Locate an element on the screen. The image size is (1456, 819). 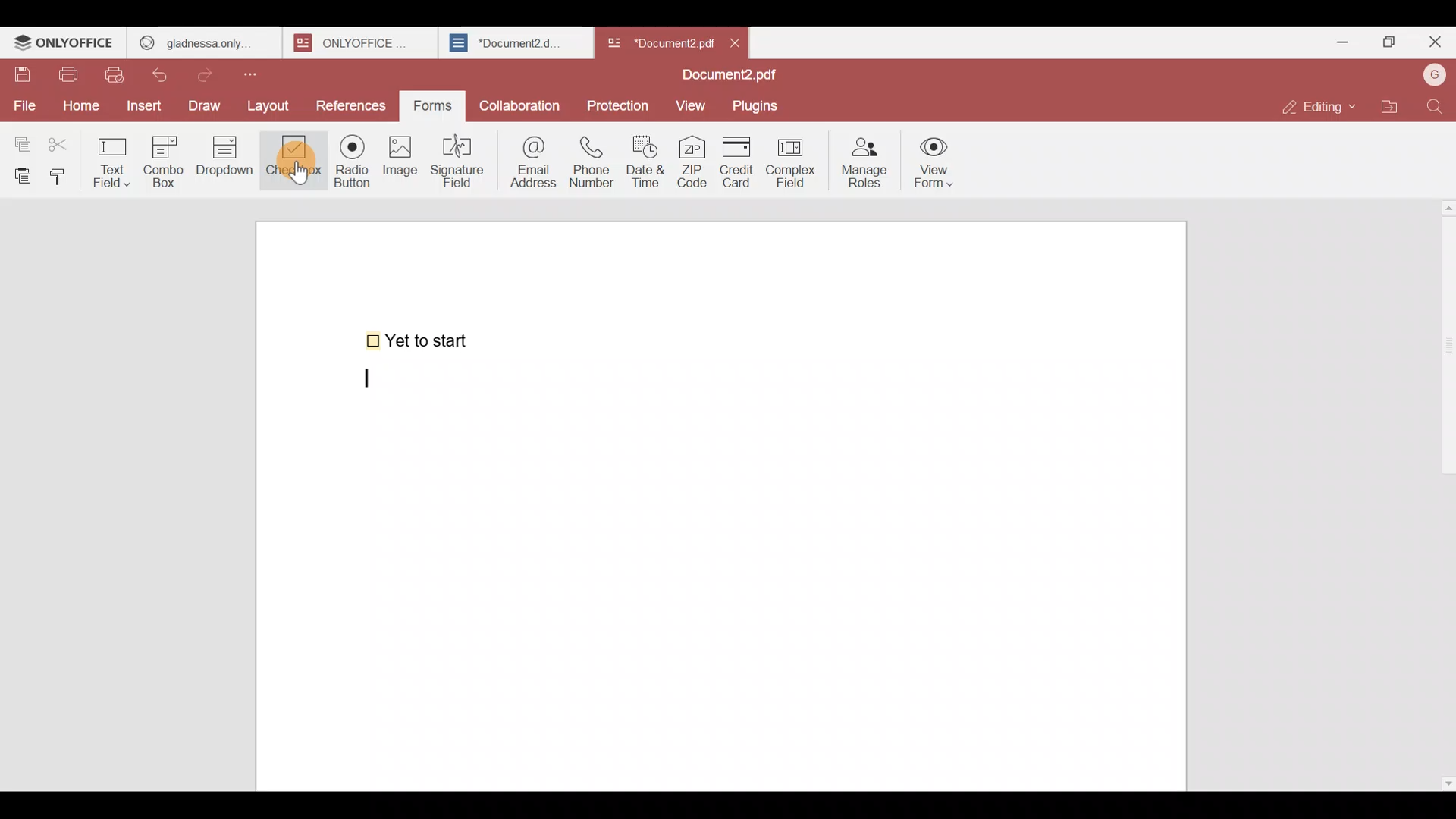
Collaboration is located at coordinates (521, 102).